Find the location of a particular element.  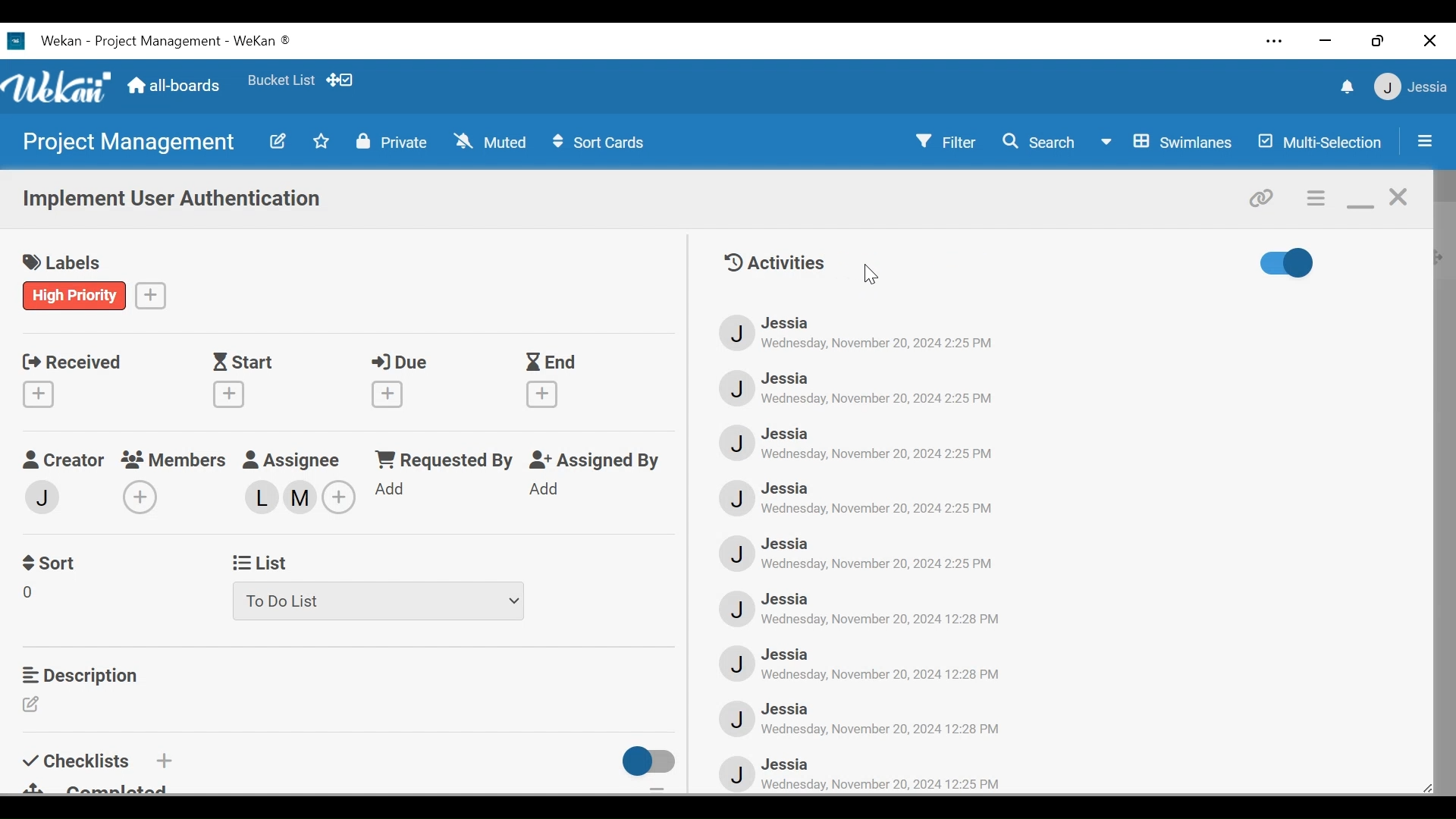

Date is located at coordinates (883, 620).